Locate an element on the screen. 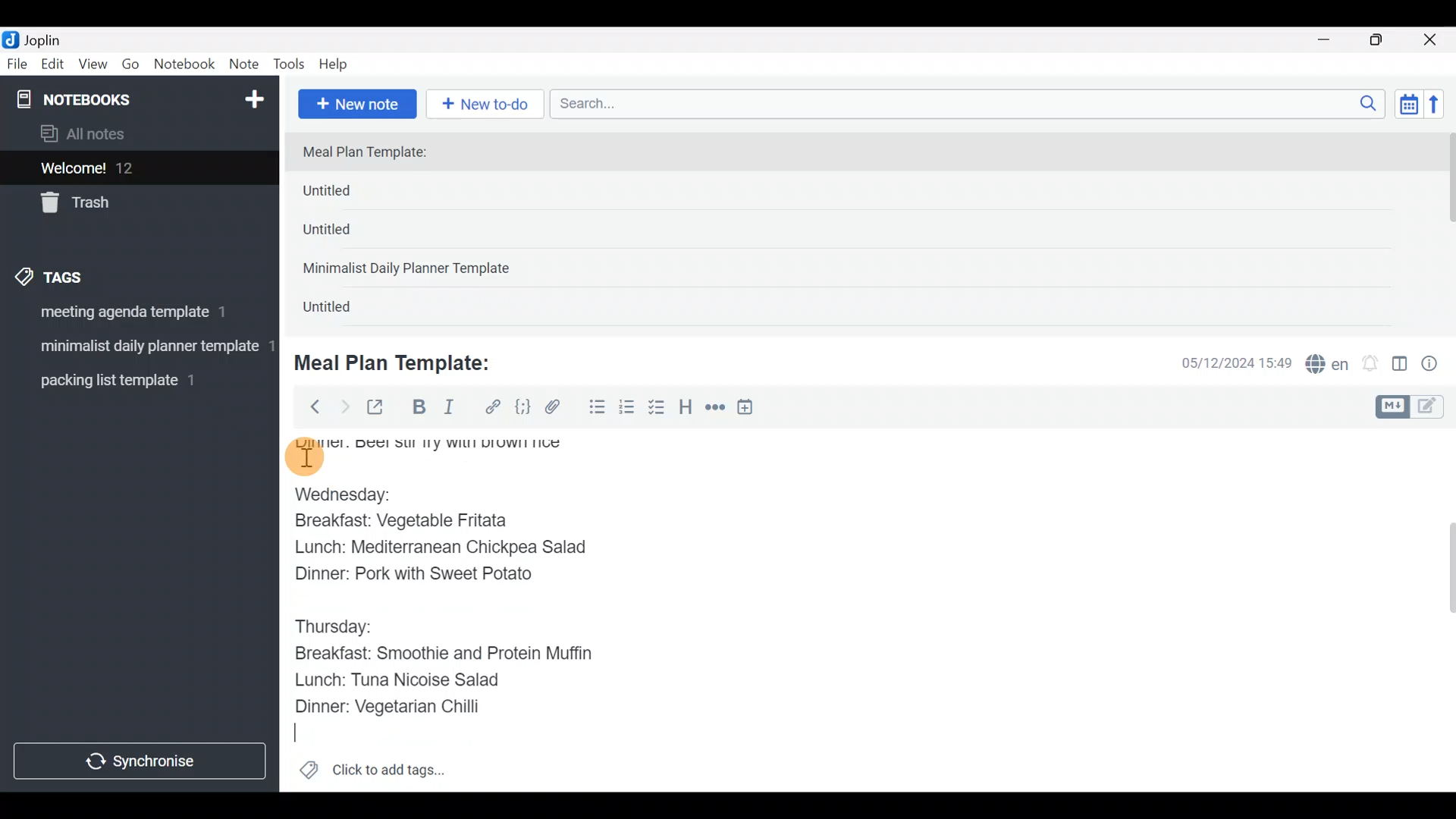  Maximize is located at coordinates (1385, 40).